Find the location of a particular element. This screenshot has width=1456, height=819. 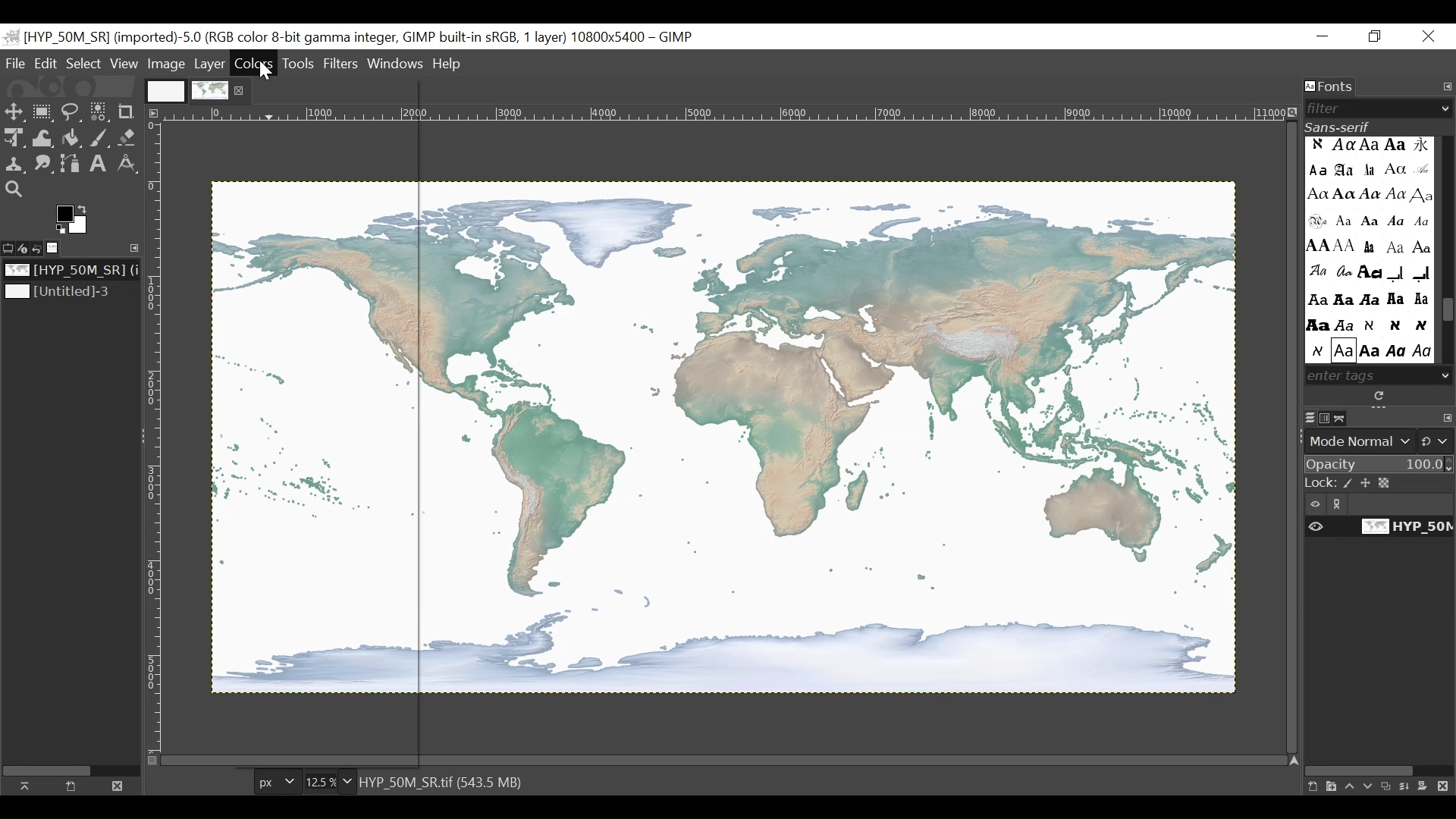

Scroll down is located at coordinates (1446, 375).